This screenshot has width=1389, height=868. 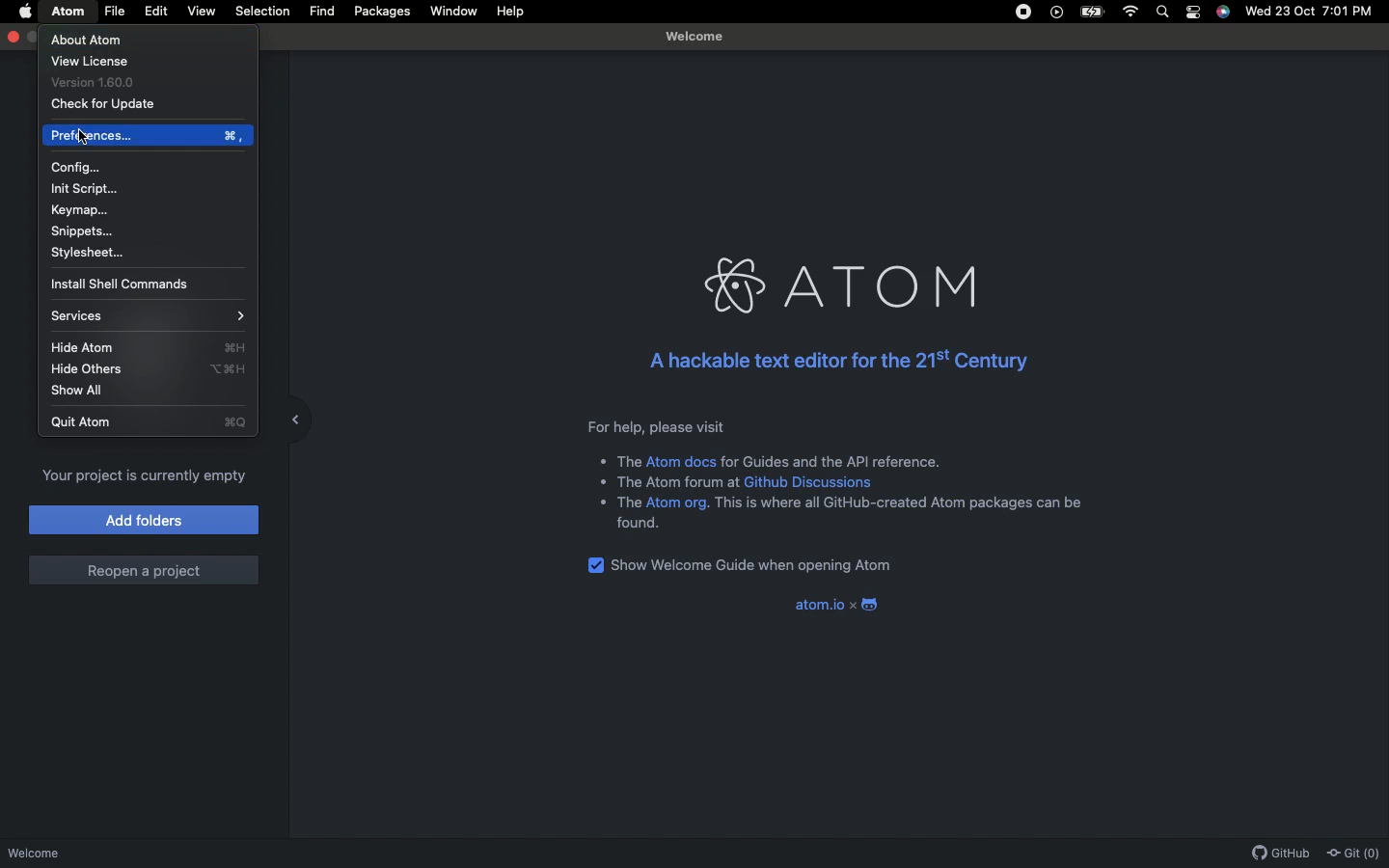 I want to click on Charge, so click(x=1092, y=13).